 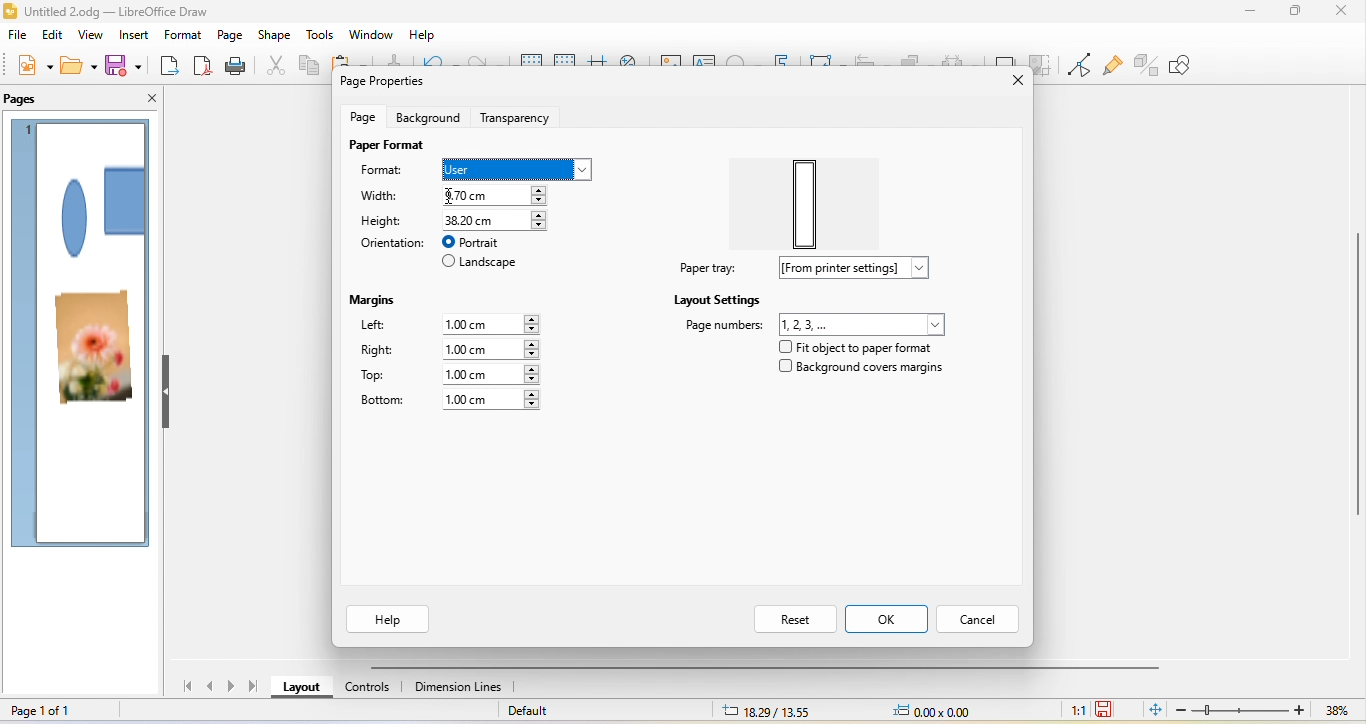 What do you see at coordinates (1042, 54) in the screenshot?
I see `crop image` at bounding box center [1042, 54].